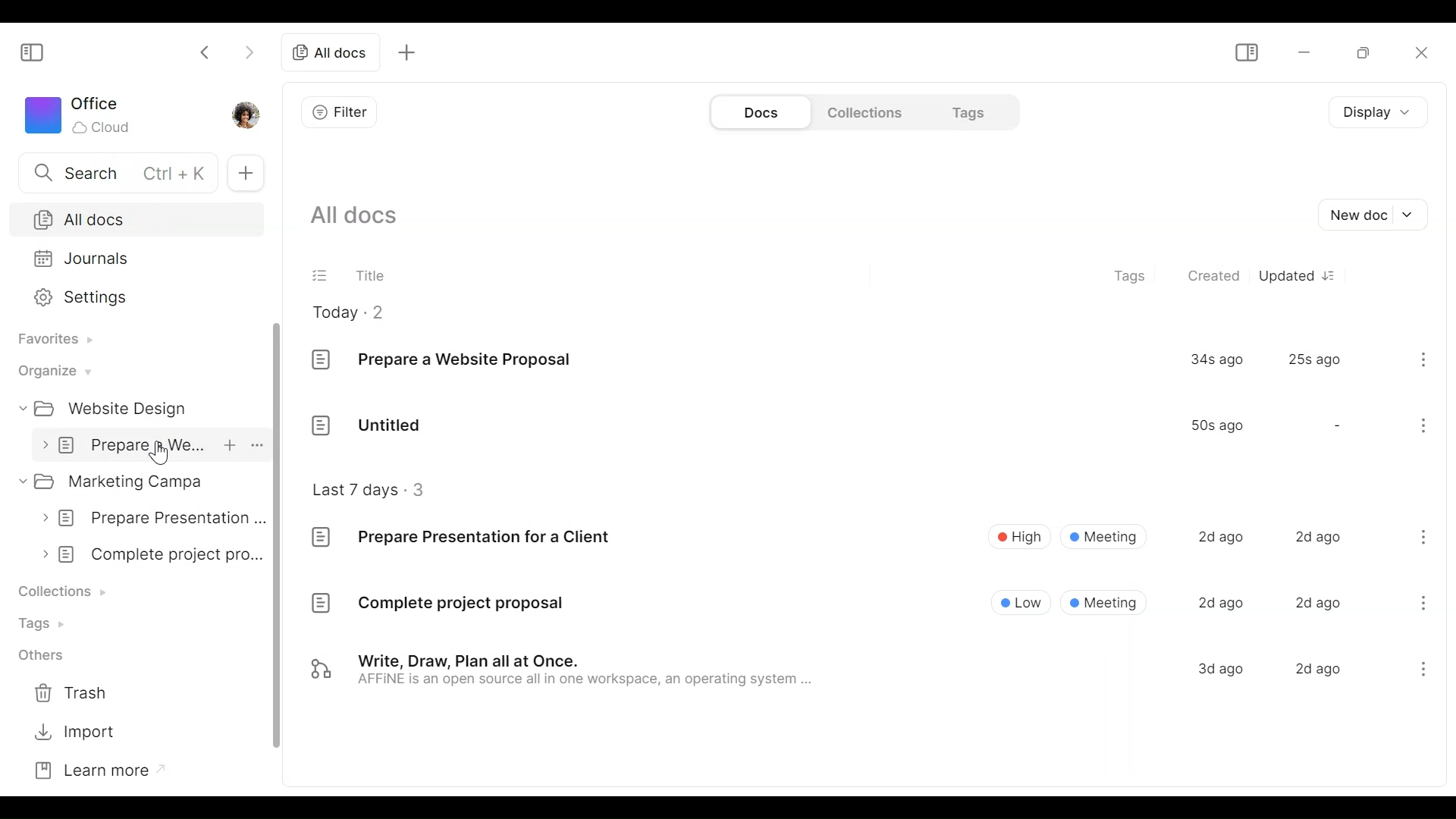 The height and width of the screenshot is (819, 1456). I want to click on Tags, so click(971, 111).